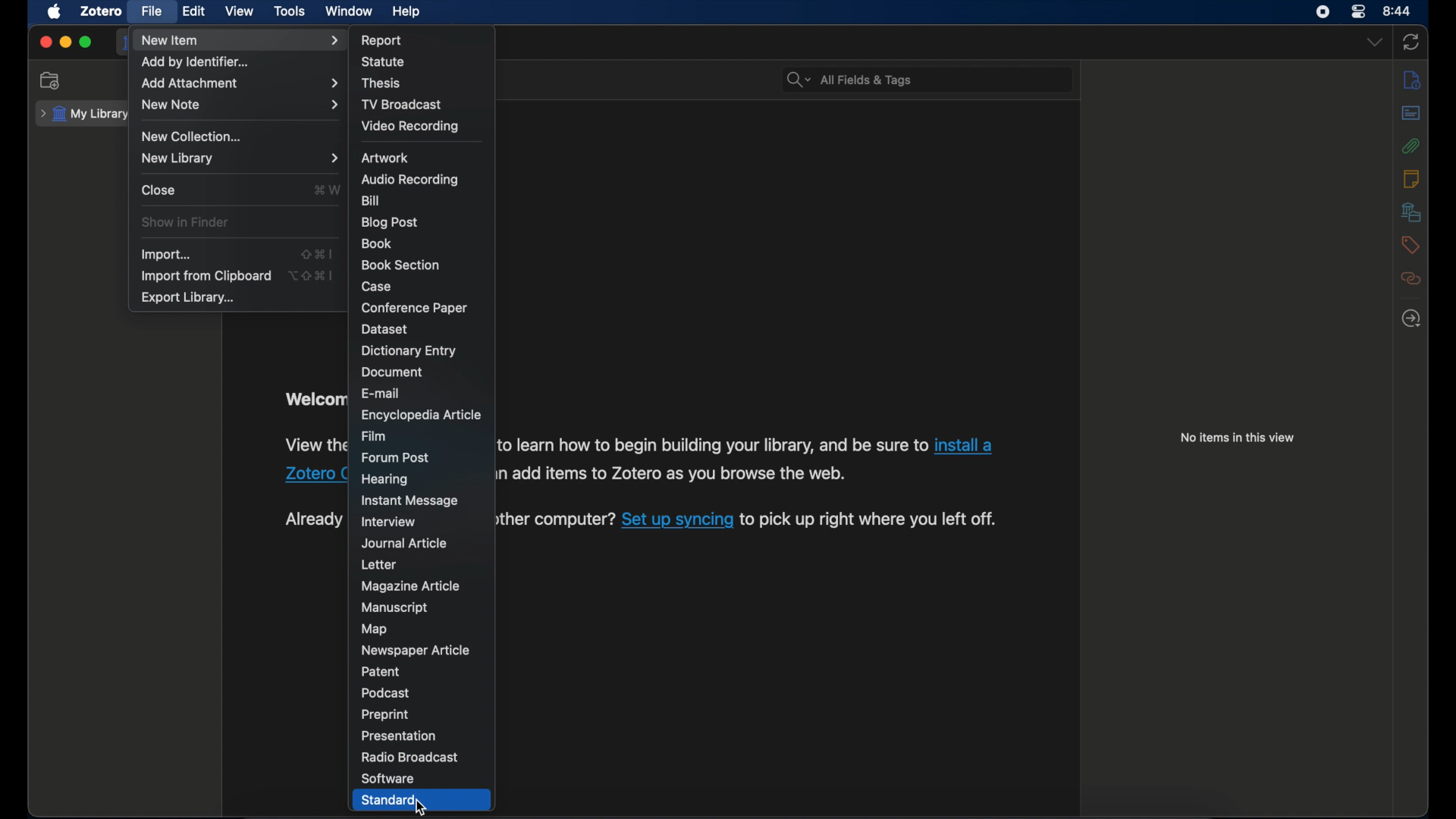 The width and height of the screenshot is (1456, 819). What do you see at coordinates (399, 263) in the screenshot?
I see `book section` at bounding box center [399, 263].